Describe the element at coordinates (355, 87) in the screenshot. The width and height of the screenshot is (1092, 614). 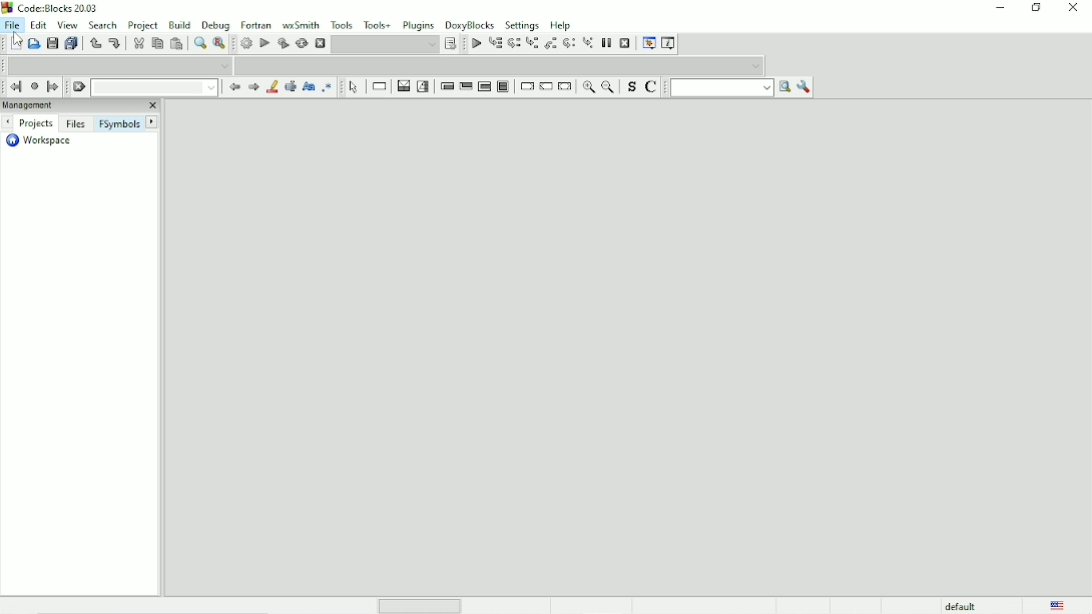
I see `Select` at that location.